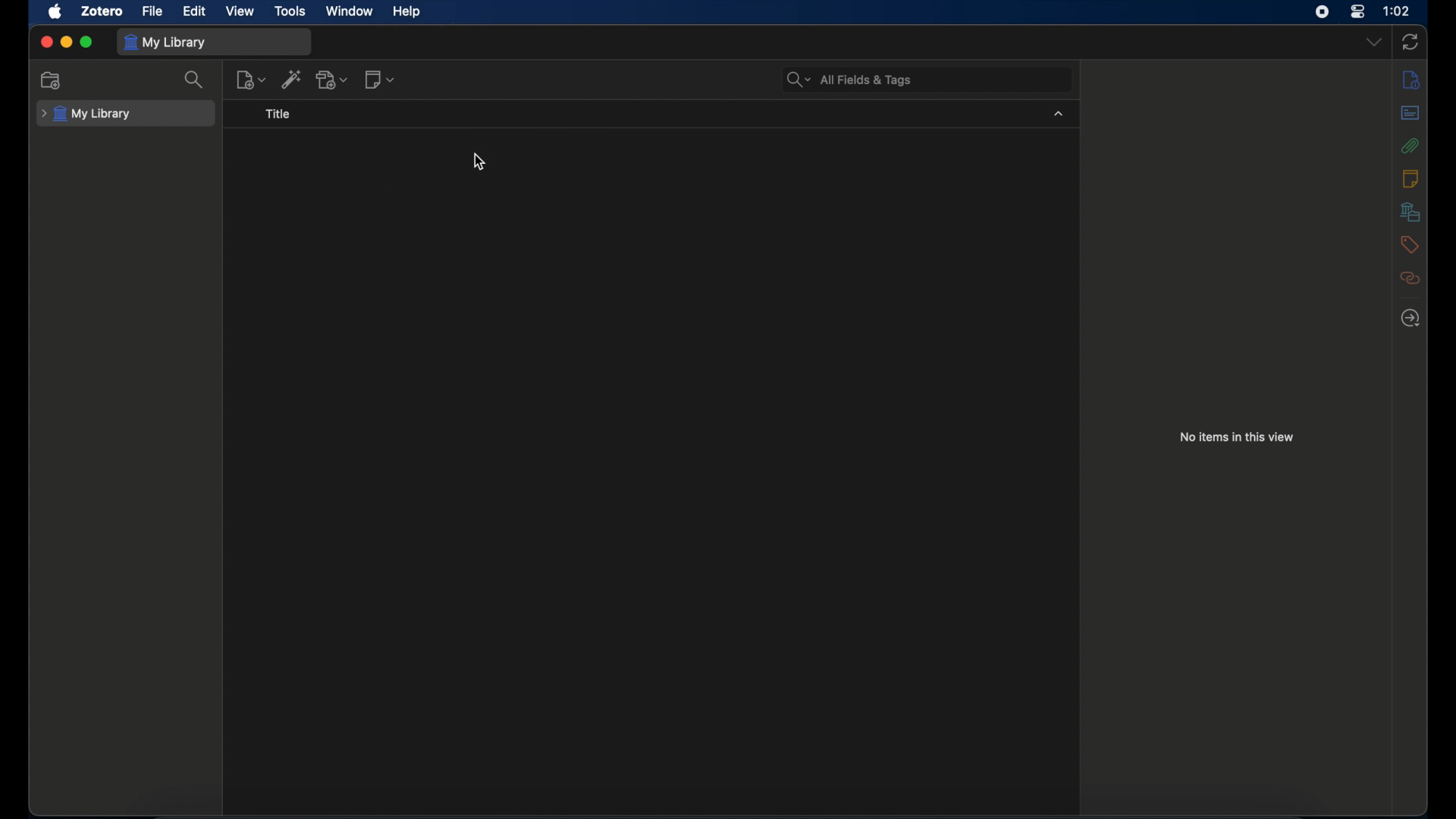  I want to click on new collection, so click(49, 80).